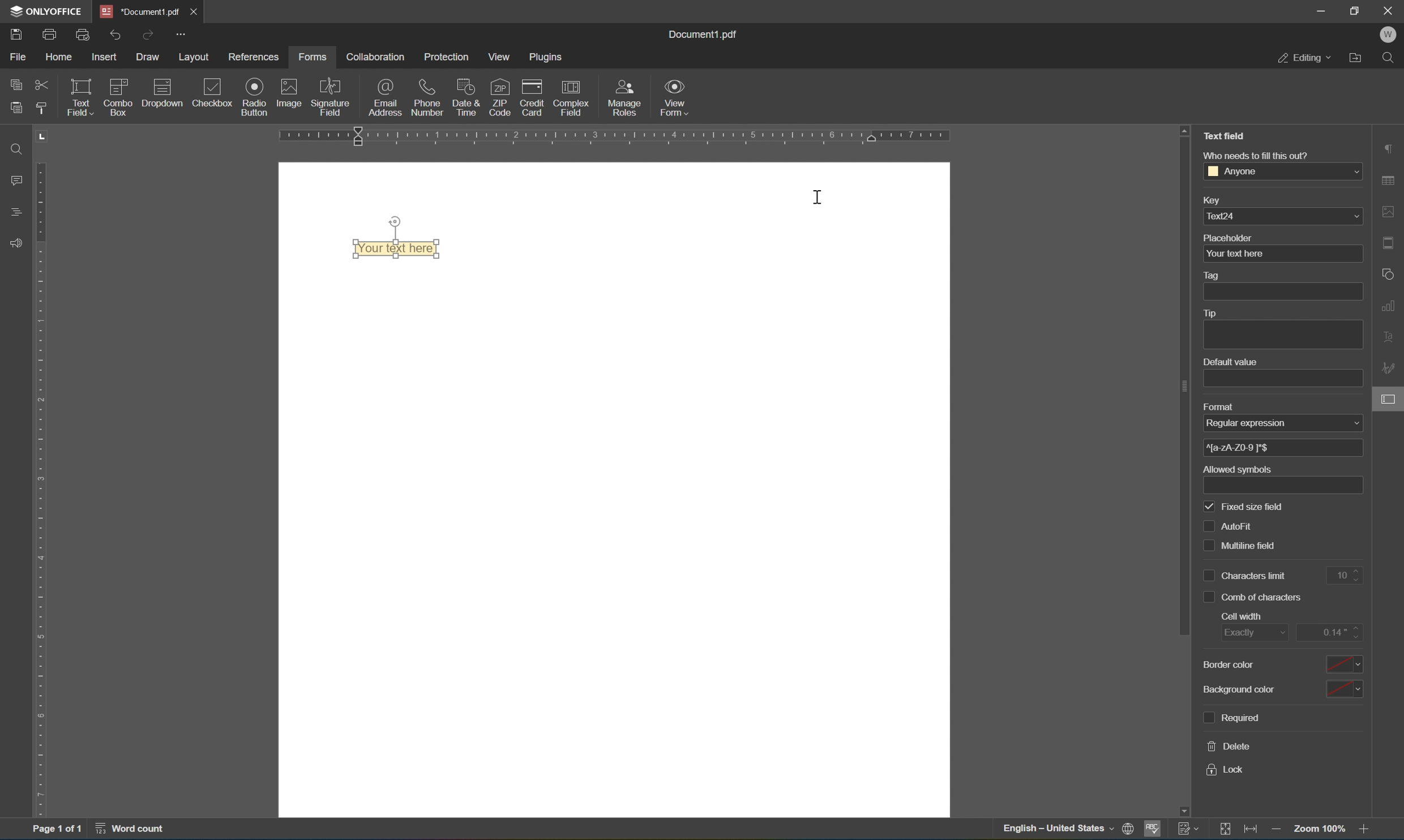 This screenshot has height=840, width=1404. Describe the element at coordinates (616, 138) in the screenshot. I see `ruler` at that location.